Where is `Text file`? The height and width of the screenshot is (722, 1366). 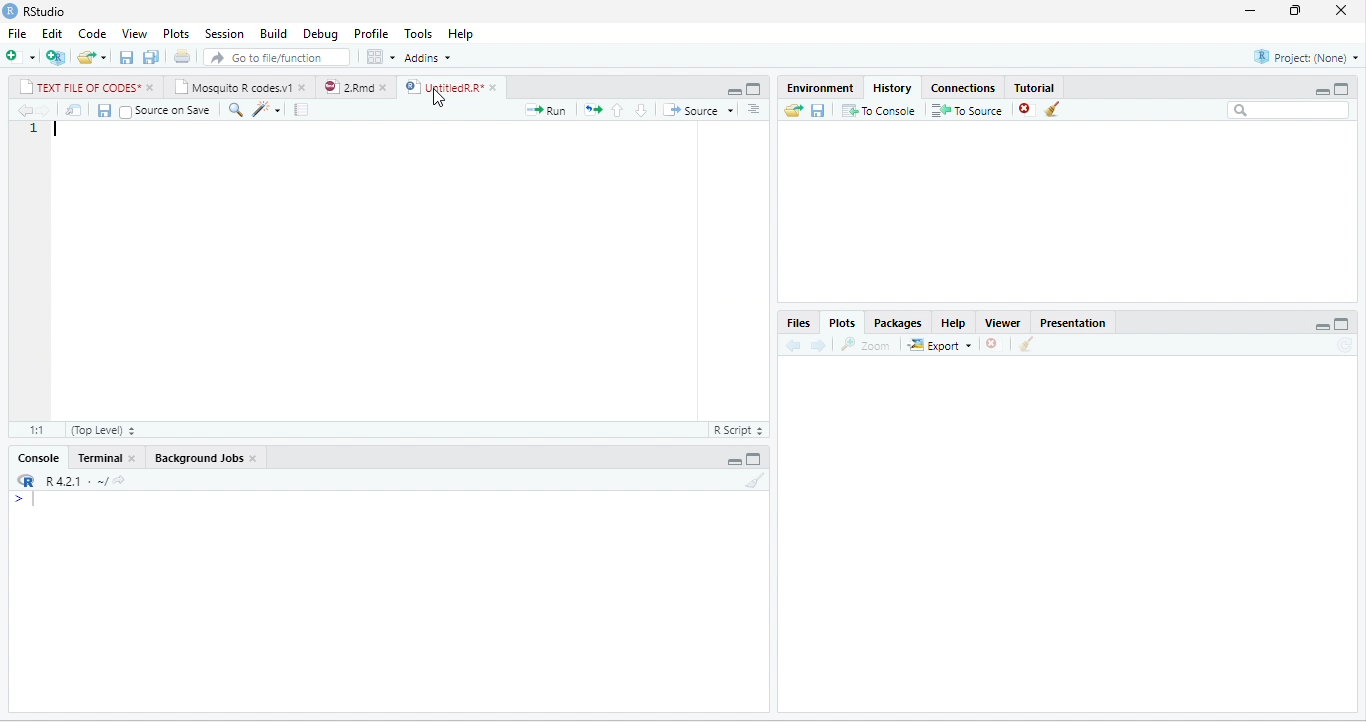 Text file is located at coordinates (737, 429).